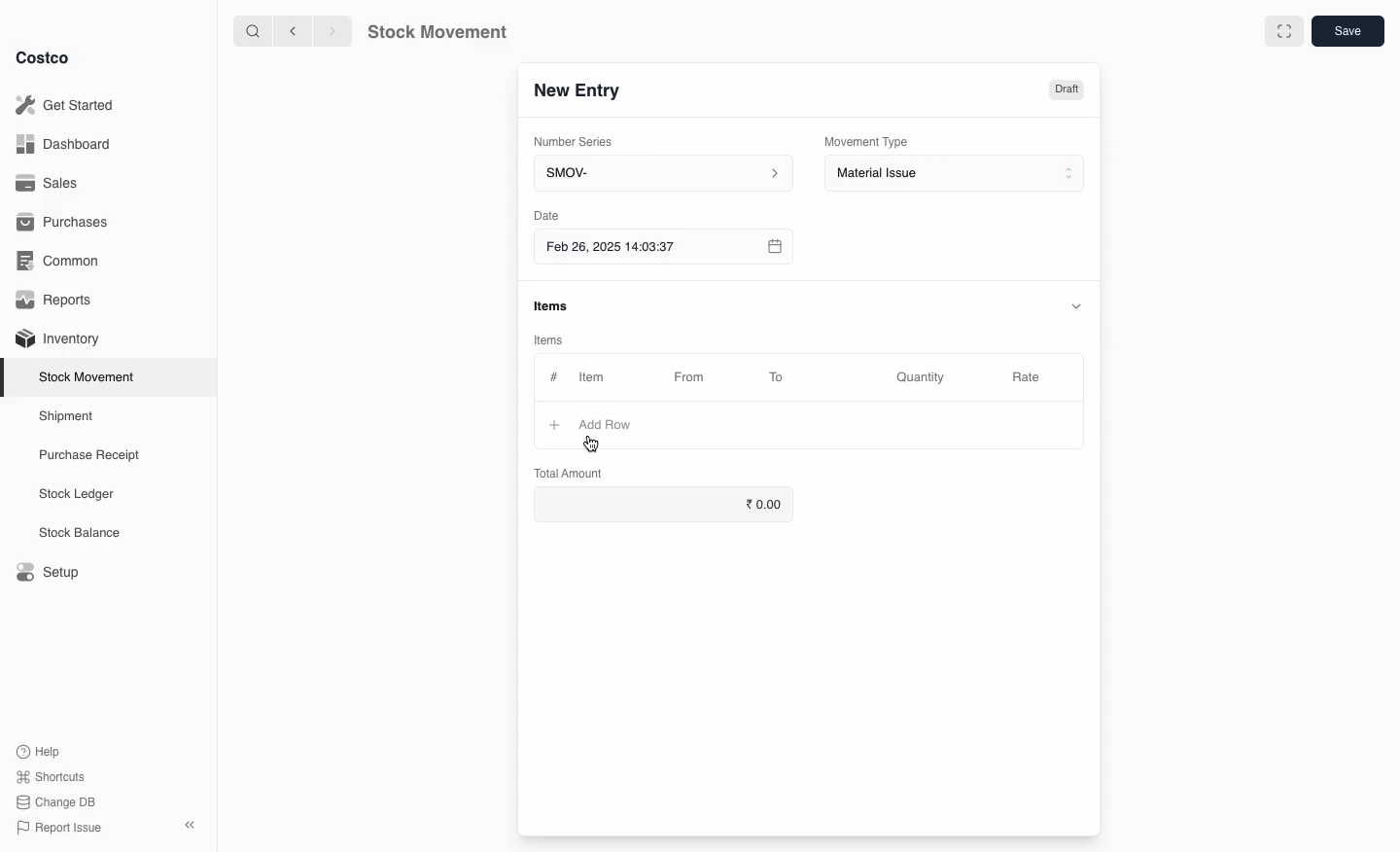 This screenshot has height=852, width=1400. I want to click on Dashboard, so click(65, 146).